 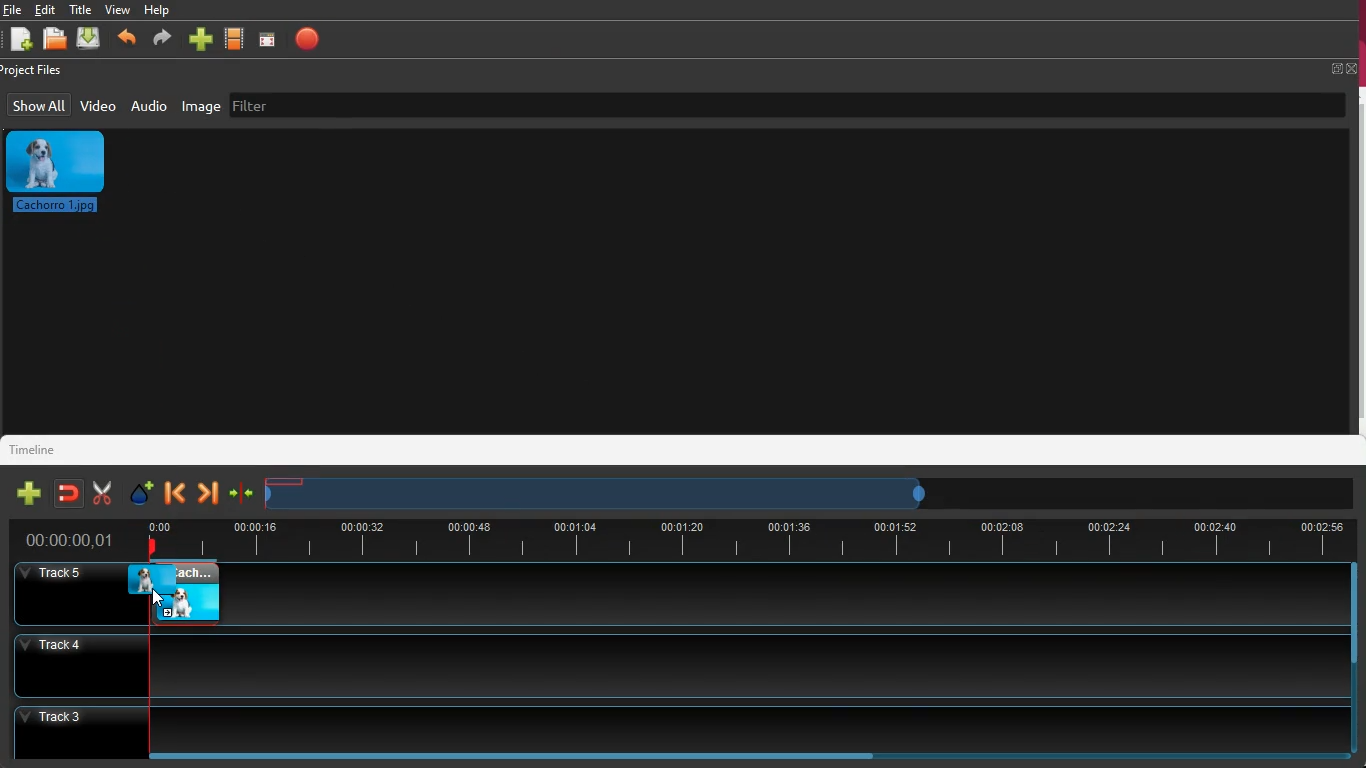 I want to click on track3, so click(x=677, y=727).